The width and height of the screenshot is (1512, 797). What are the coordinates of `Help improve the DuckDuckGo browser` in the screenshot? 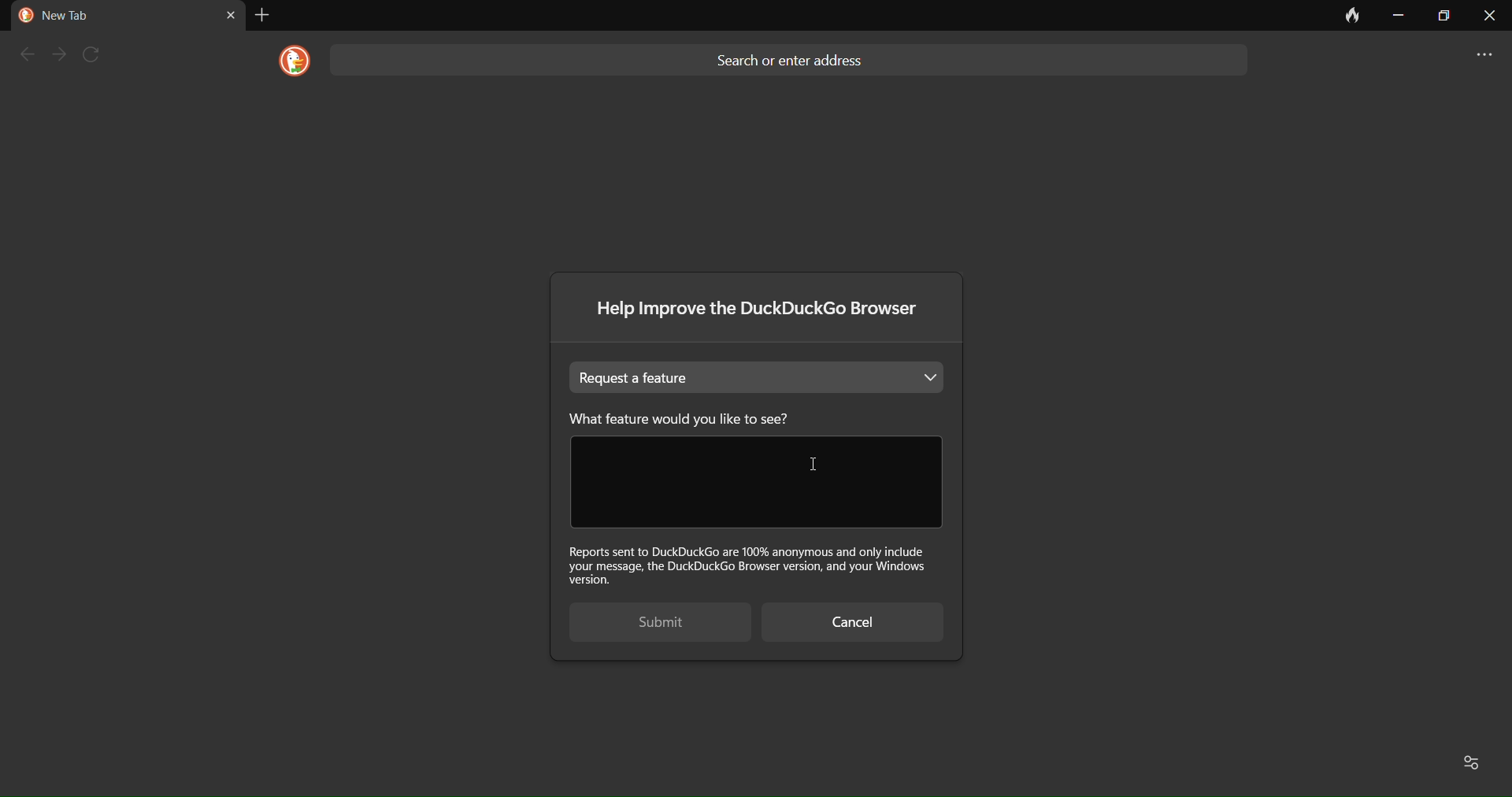 It's located at (762, 313).